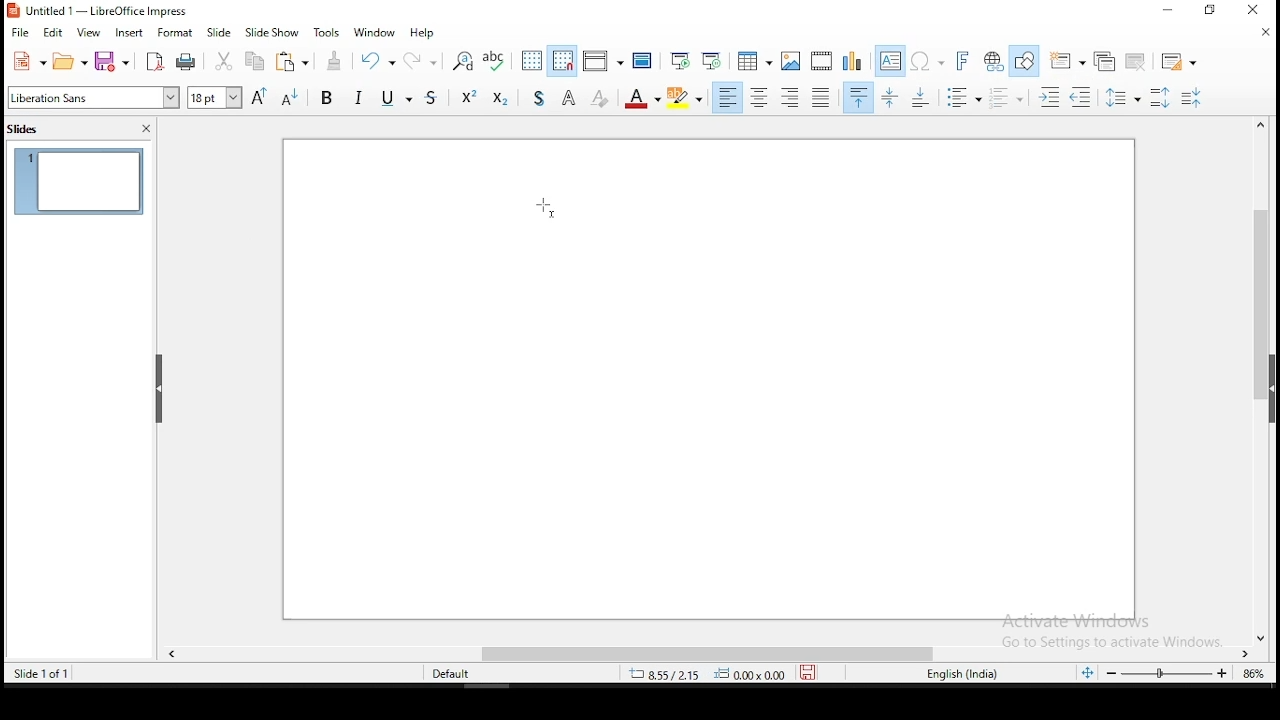  I want to click on duplicate slide, so click(1102, 59).